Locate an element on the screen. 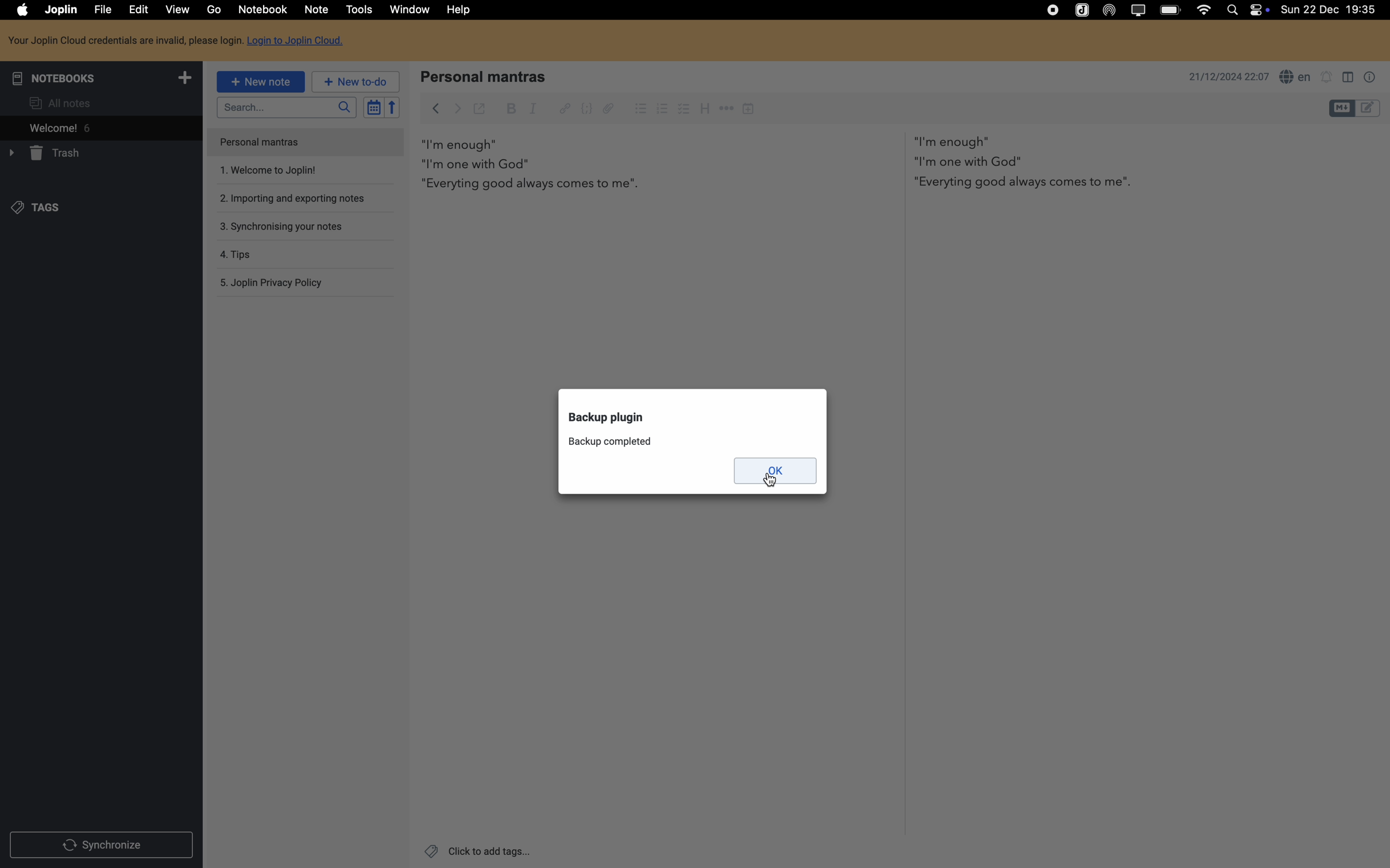 Image resolution: width=1390 pixels, height=868 pixels. synchronize is located at coordinates (100, 847).